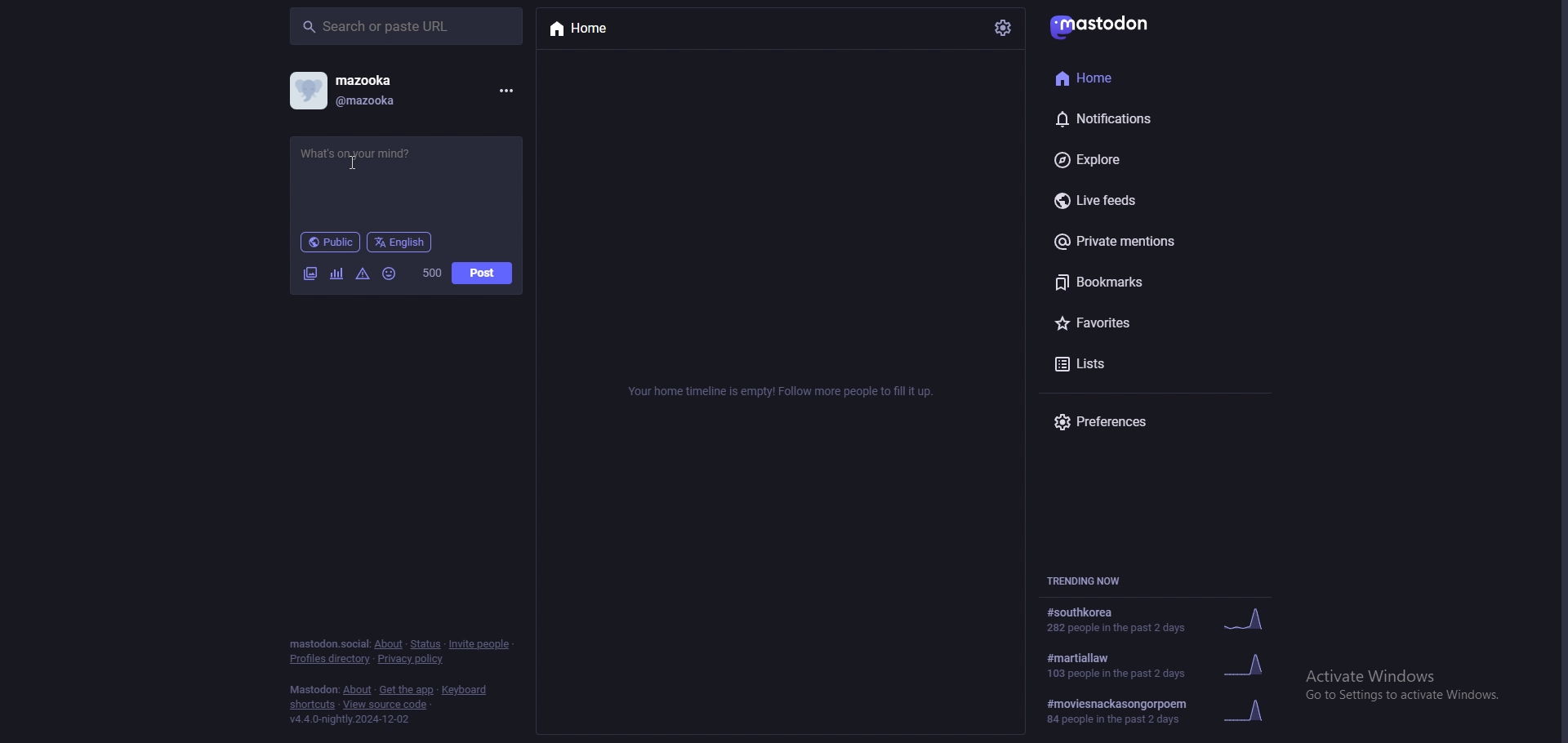 The height and width of the screenshot is (743, 1568). What do you see at coordinates (480, 644) in the screenshot?
I see `invite people` at bounding box center [480, 644].